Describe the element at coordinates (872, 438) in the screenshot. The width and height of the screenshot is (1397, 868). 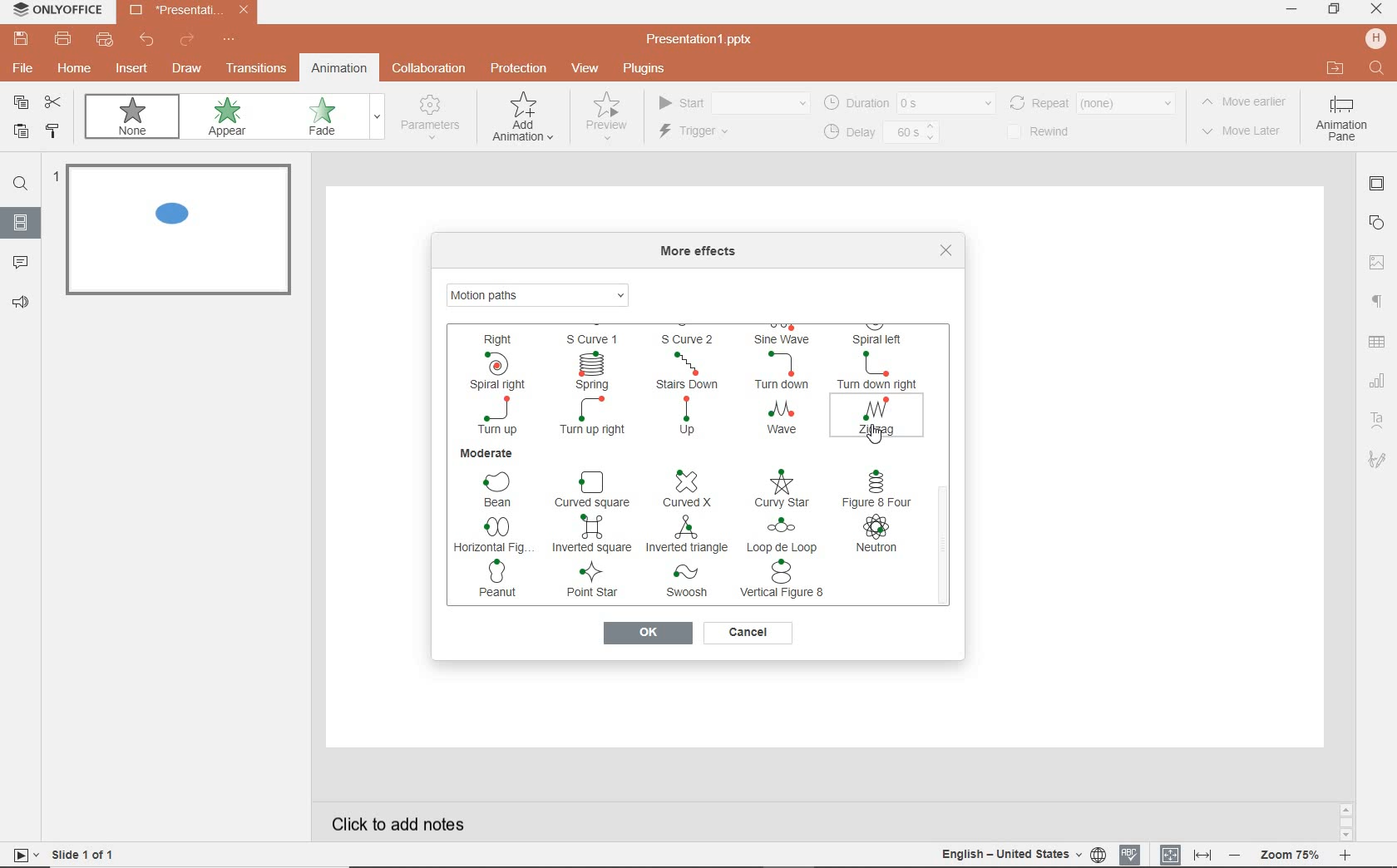
I see `mouse ppointer` at that location.